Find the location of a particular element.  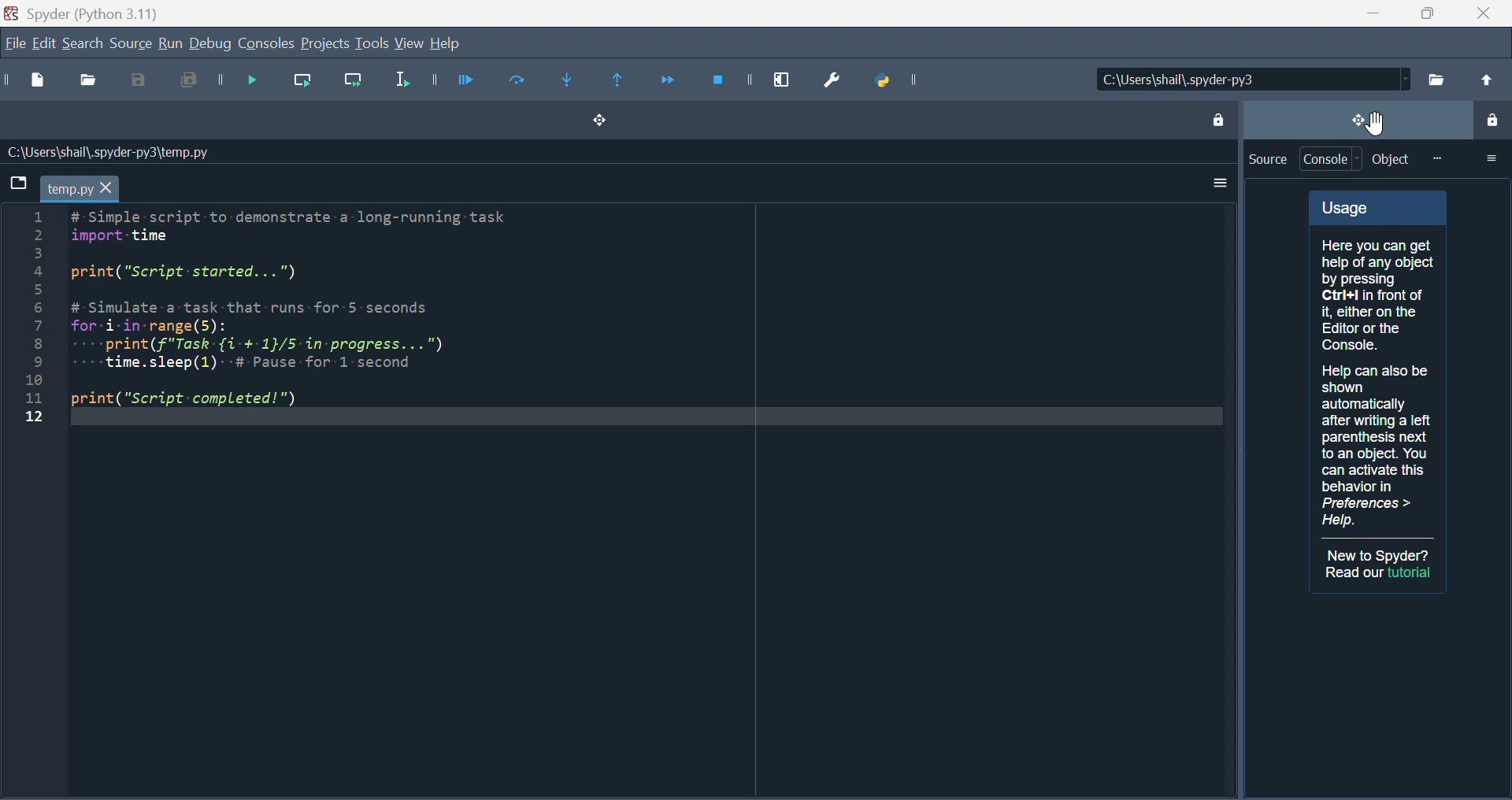

browse tabs is located at coordinates (17, 182).